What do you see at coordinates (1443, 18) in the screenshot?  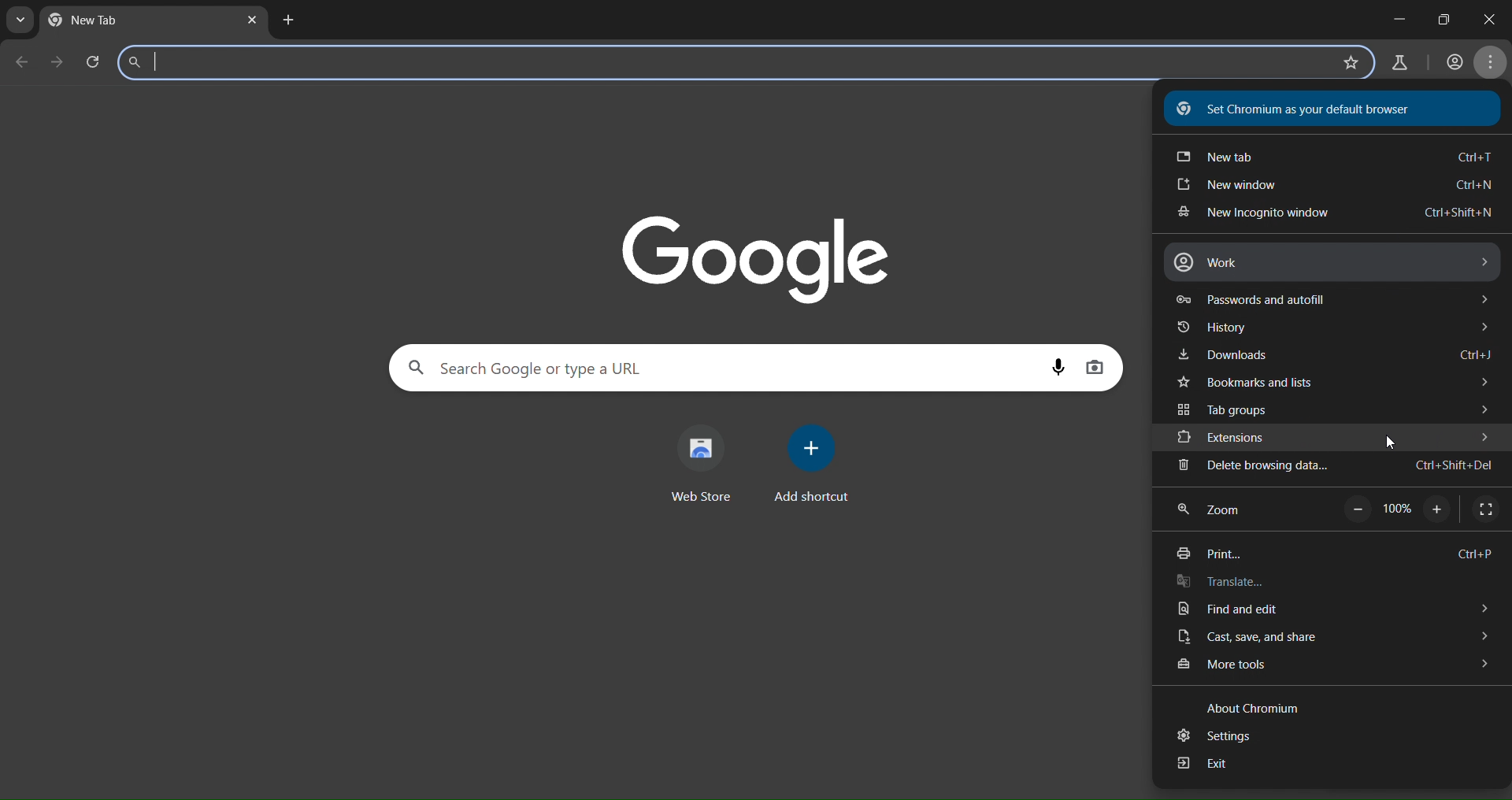 I see `maximize` at bounding box center [1443, 18].